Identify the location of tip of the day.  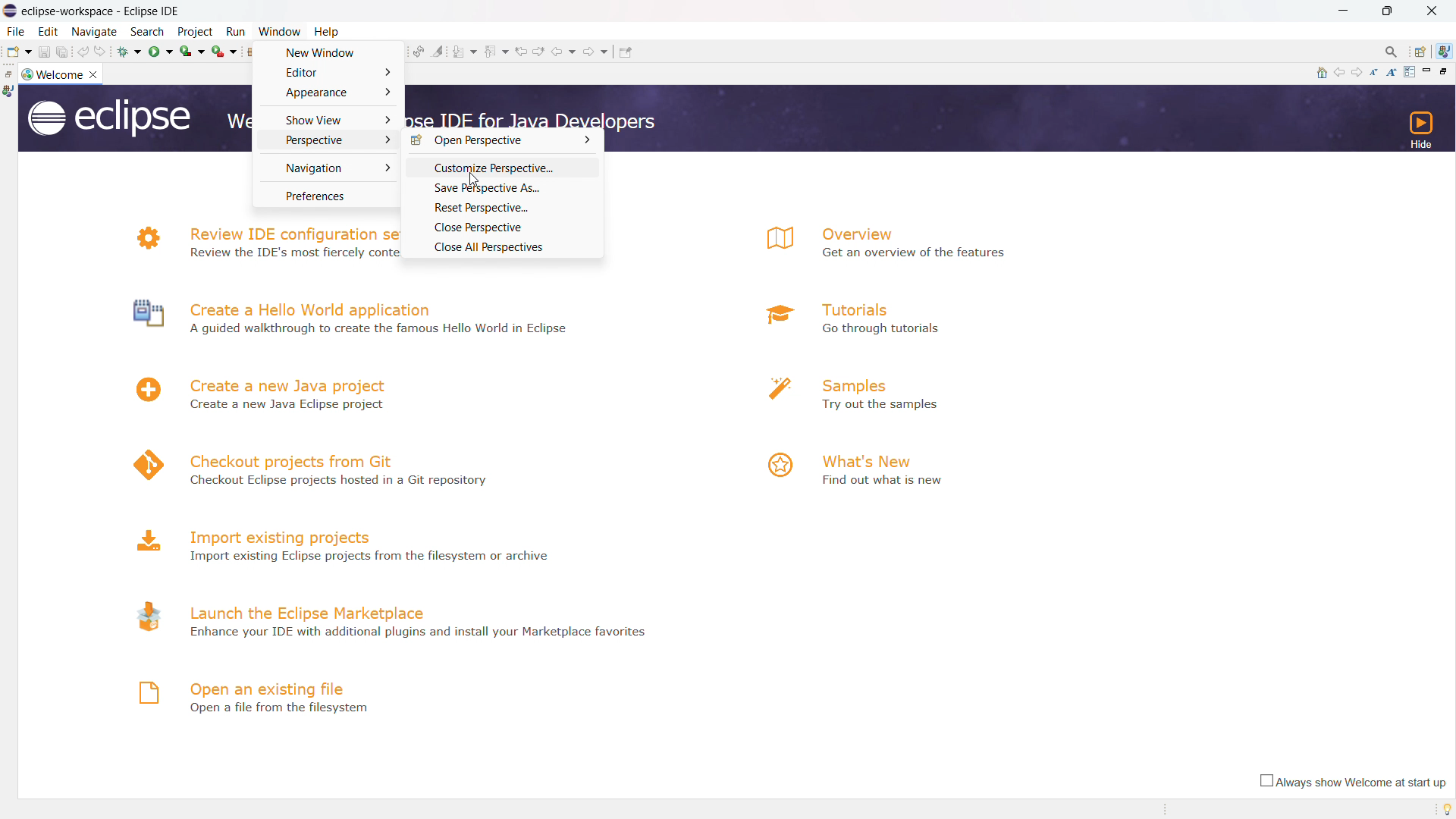
(1442, 808).